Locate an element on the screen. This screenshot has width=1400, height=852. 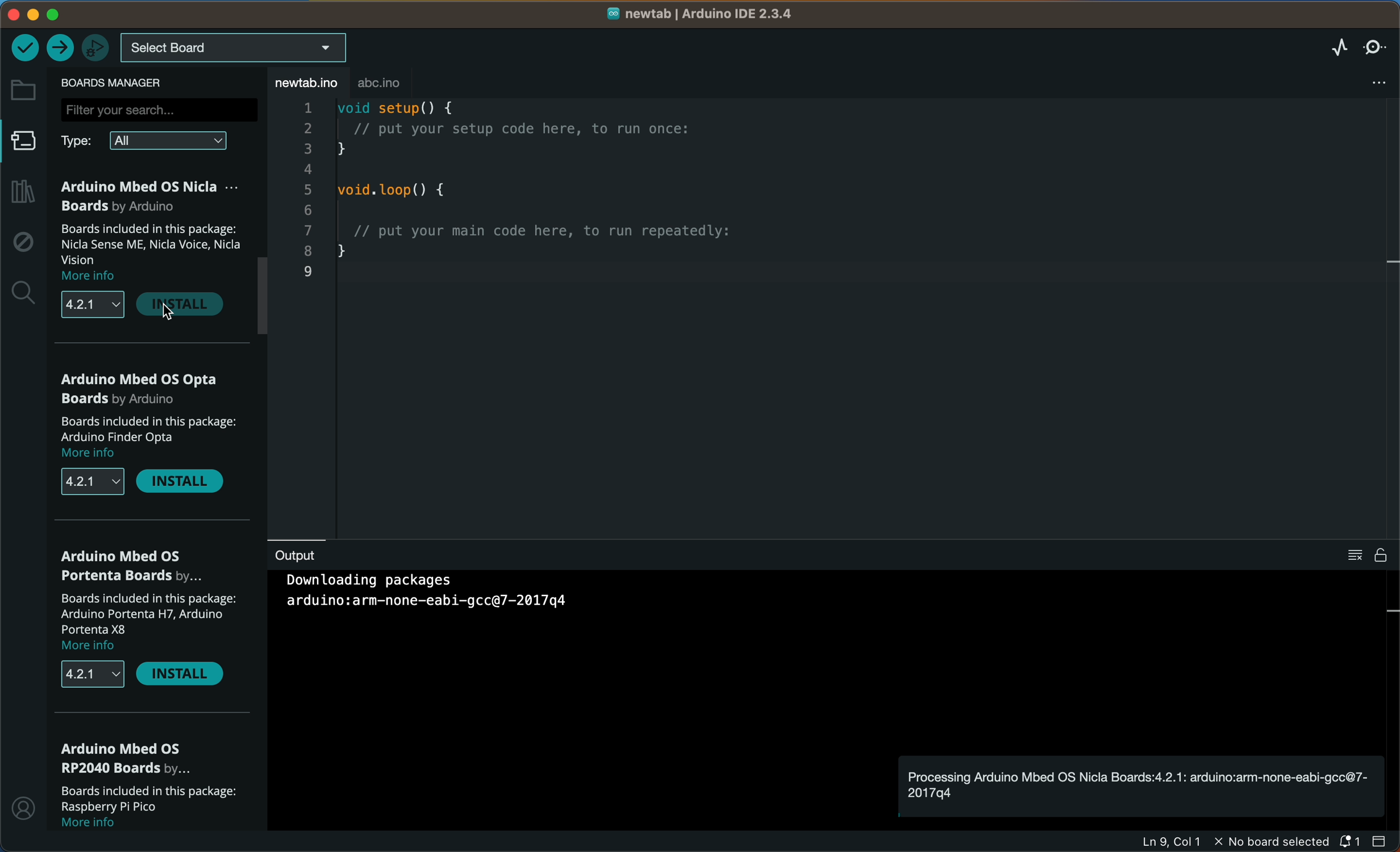
RP2040 Boards is located at coordinates (131, 758).